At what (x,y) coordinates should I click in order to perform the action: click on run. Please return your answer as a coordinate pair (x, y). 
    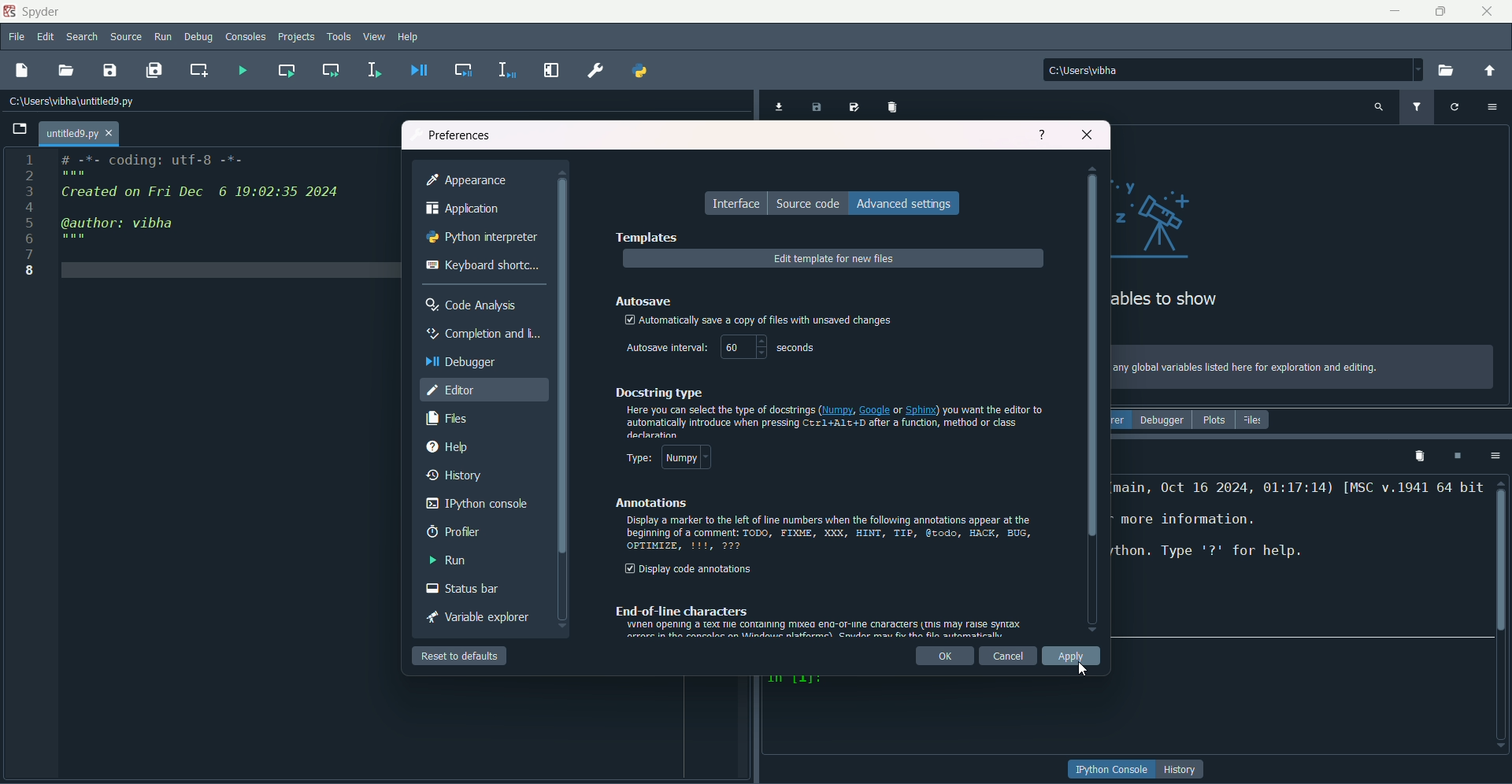
    Looking at the image, I should click on (450, 560).